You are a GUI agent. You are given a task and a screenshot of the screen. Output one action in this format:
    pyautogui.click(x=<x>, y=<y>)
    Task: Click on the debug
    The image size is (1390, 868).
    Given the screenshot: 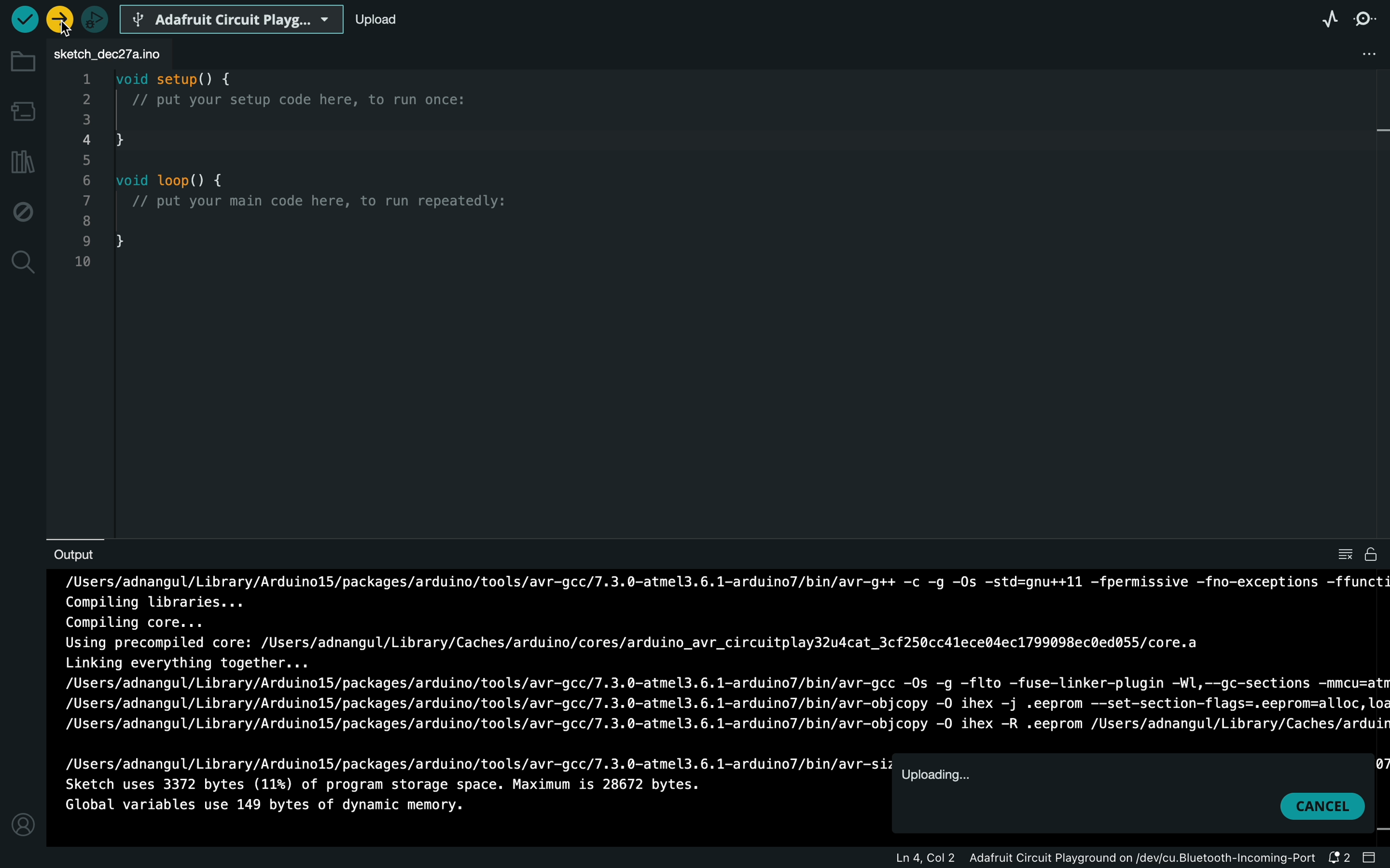 What is the action you would take?
    pyautogui.click(x=24, y=214)
    